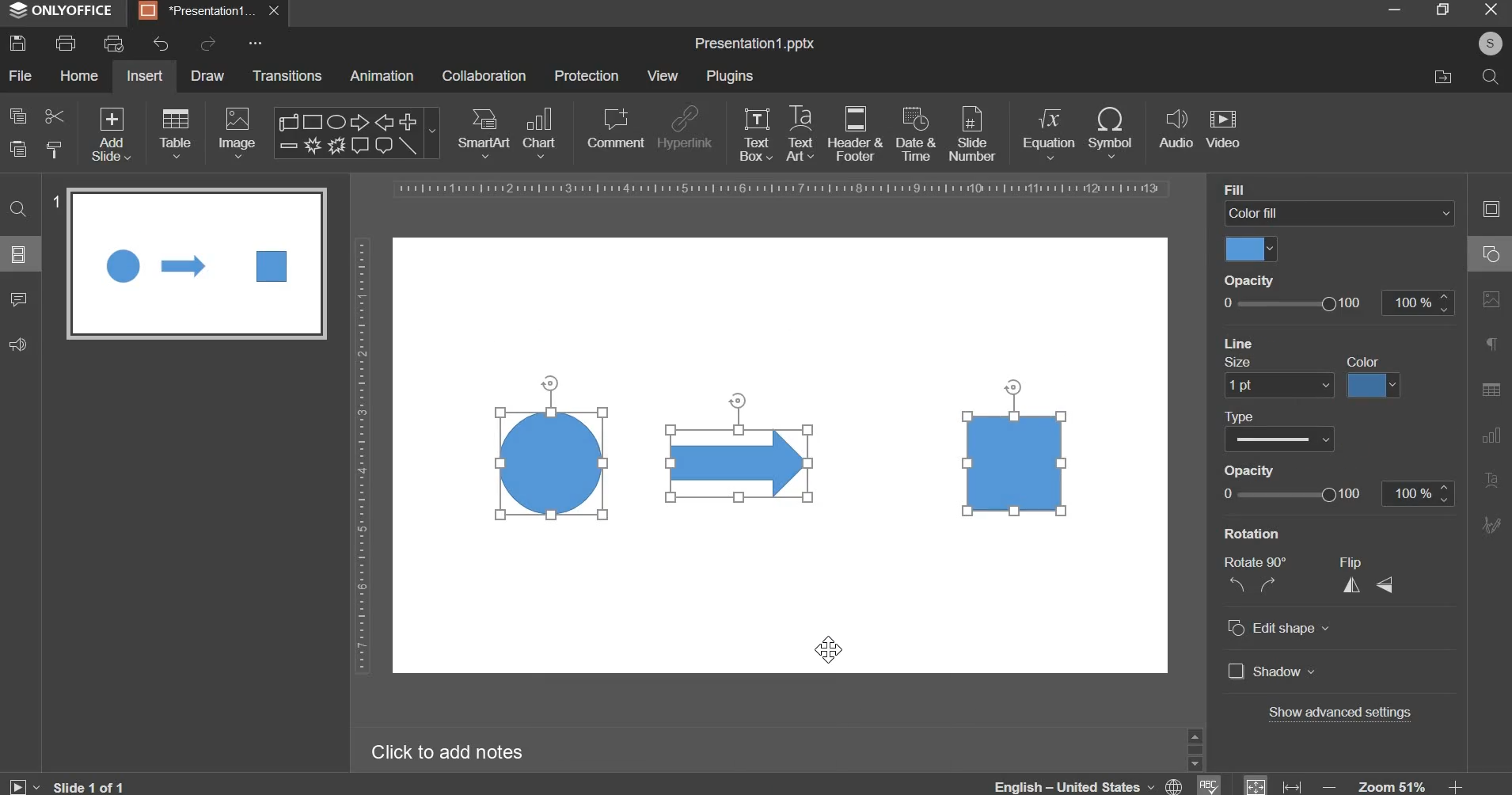 The width and height of the screenshot is (1512, 795). I want to click on undo, so click(161, 44).